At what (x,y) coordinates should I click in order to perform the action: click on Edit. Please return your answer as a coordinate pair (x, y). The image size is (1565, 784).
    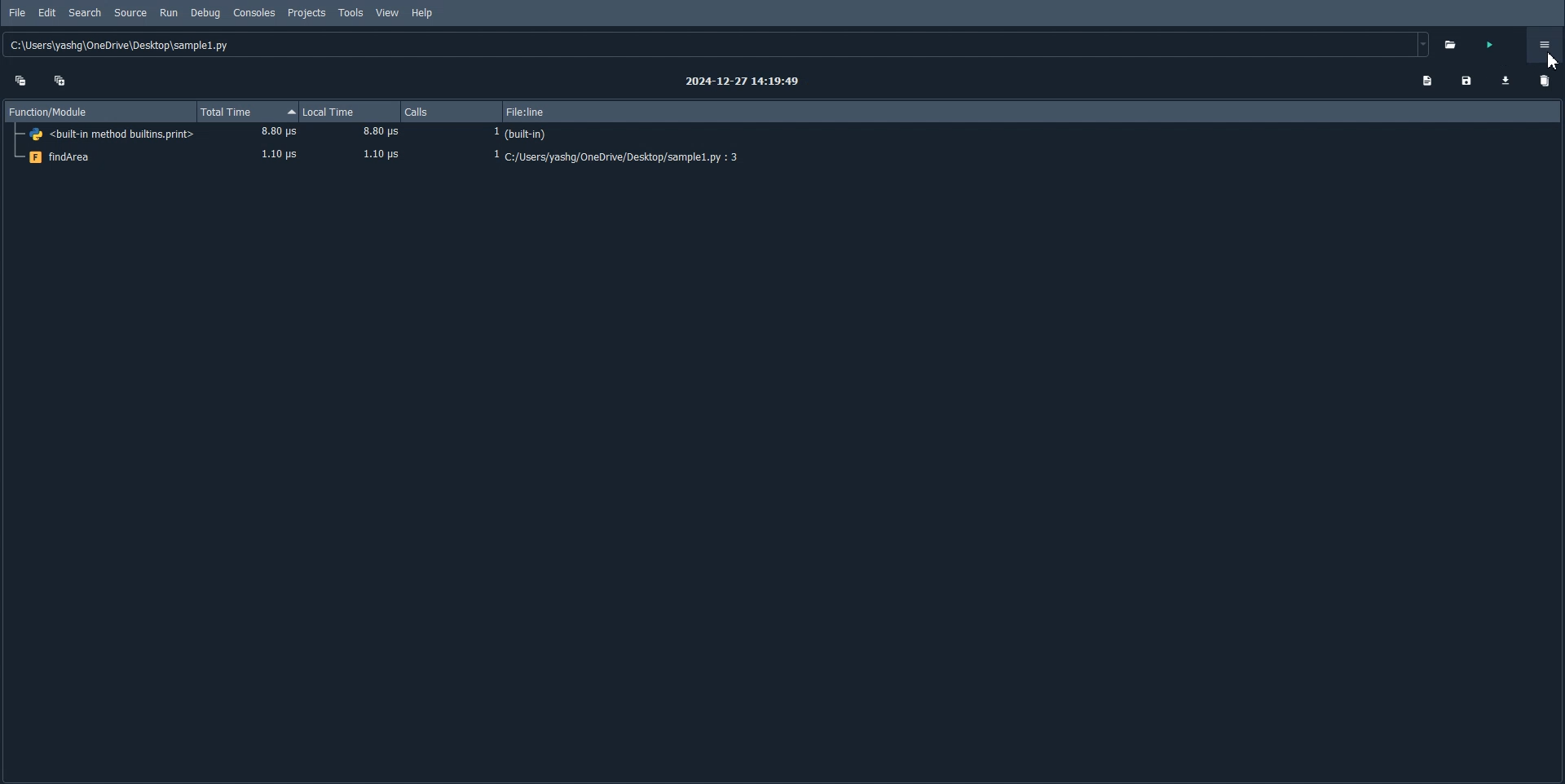
    Looking at the image, I should click on (47, 13).